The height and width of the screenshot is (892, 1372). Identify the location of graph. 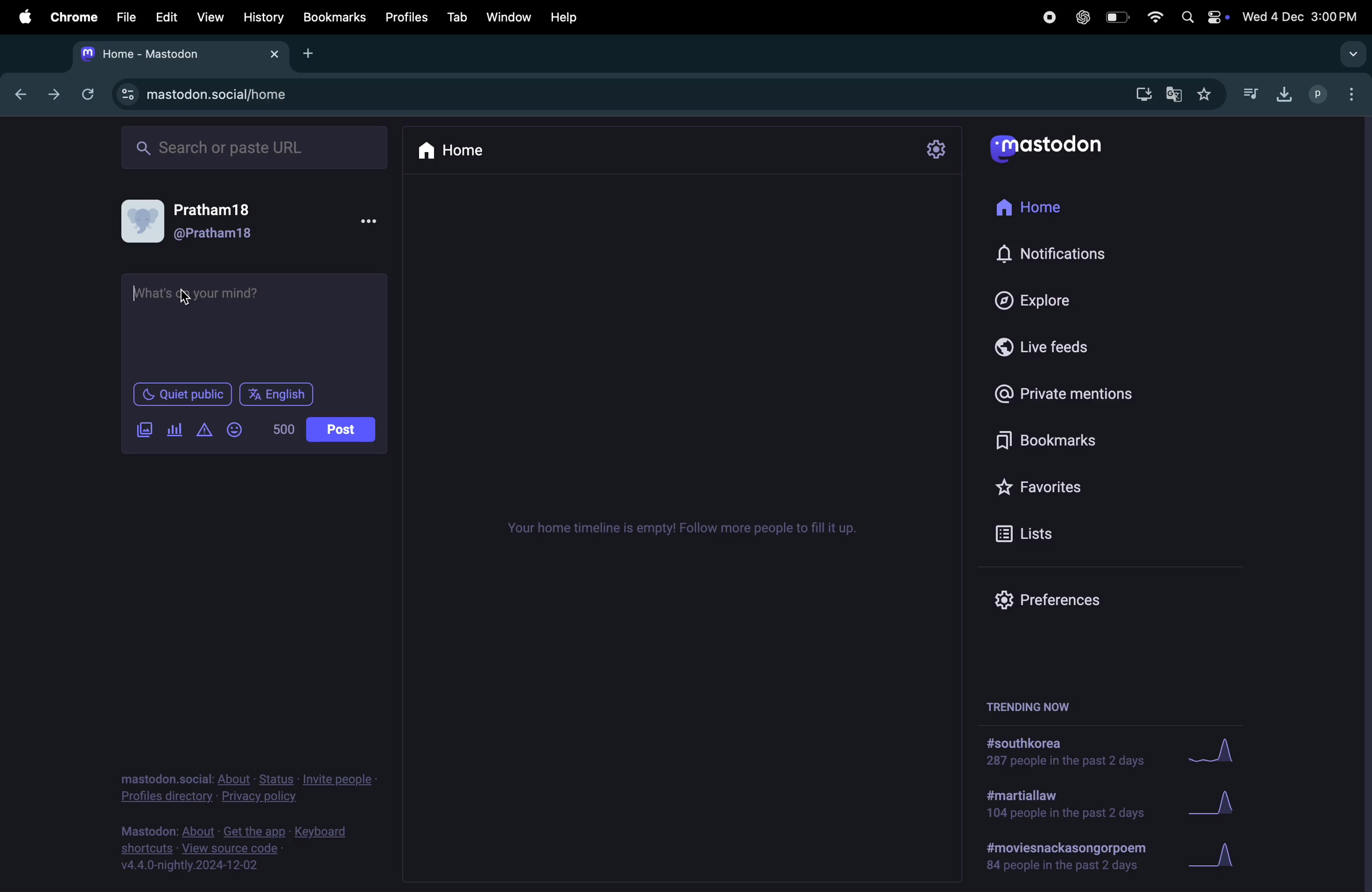
(1213, 749).